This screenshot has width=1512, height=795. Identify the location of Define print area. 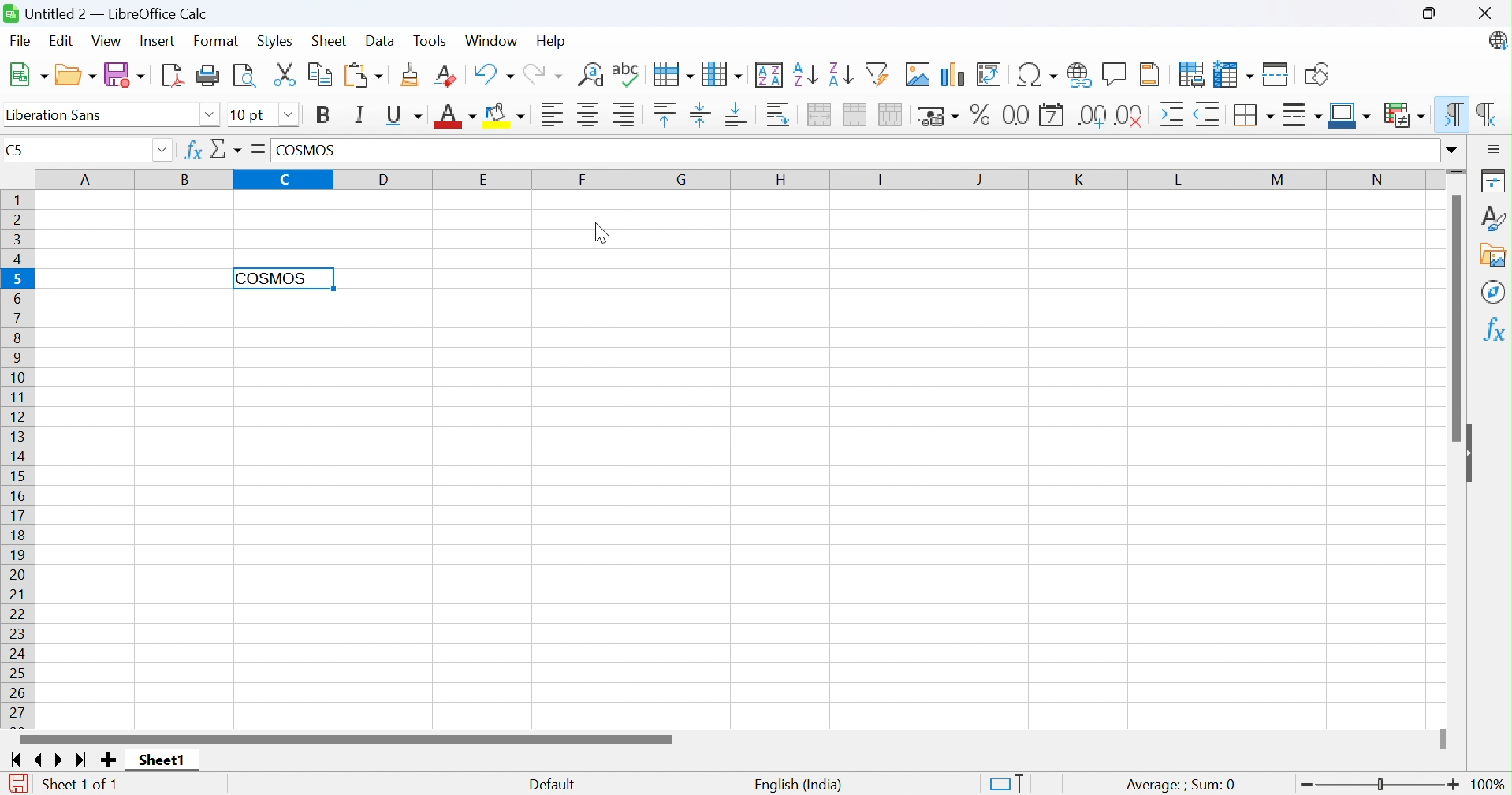
(1194, 74).